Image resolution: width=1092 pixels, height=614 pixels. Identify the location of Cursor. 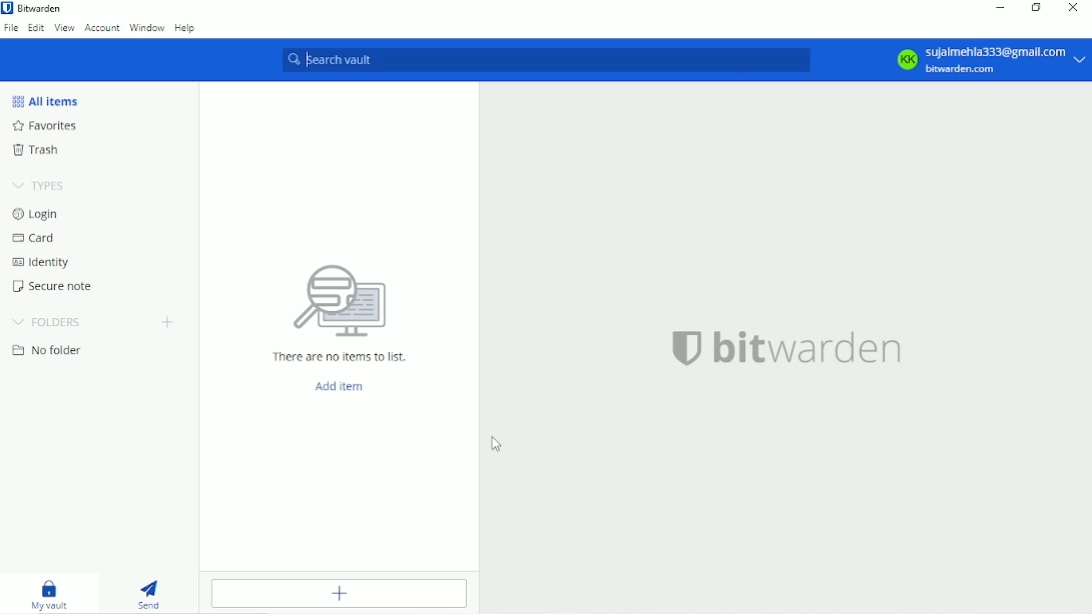
(497, 446).